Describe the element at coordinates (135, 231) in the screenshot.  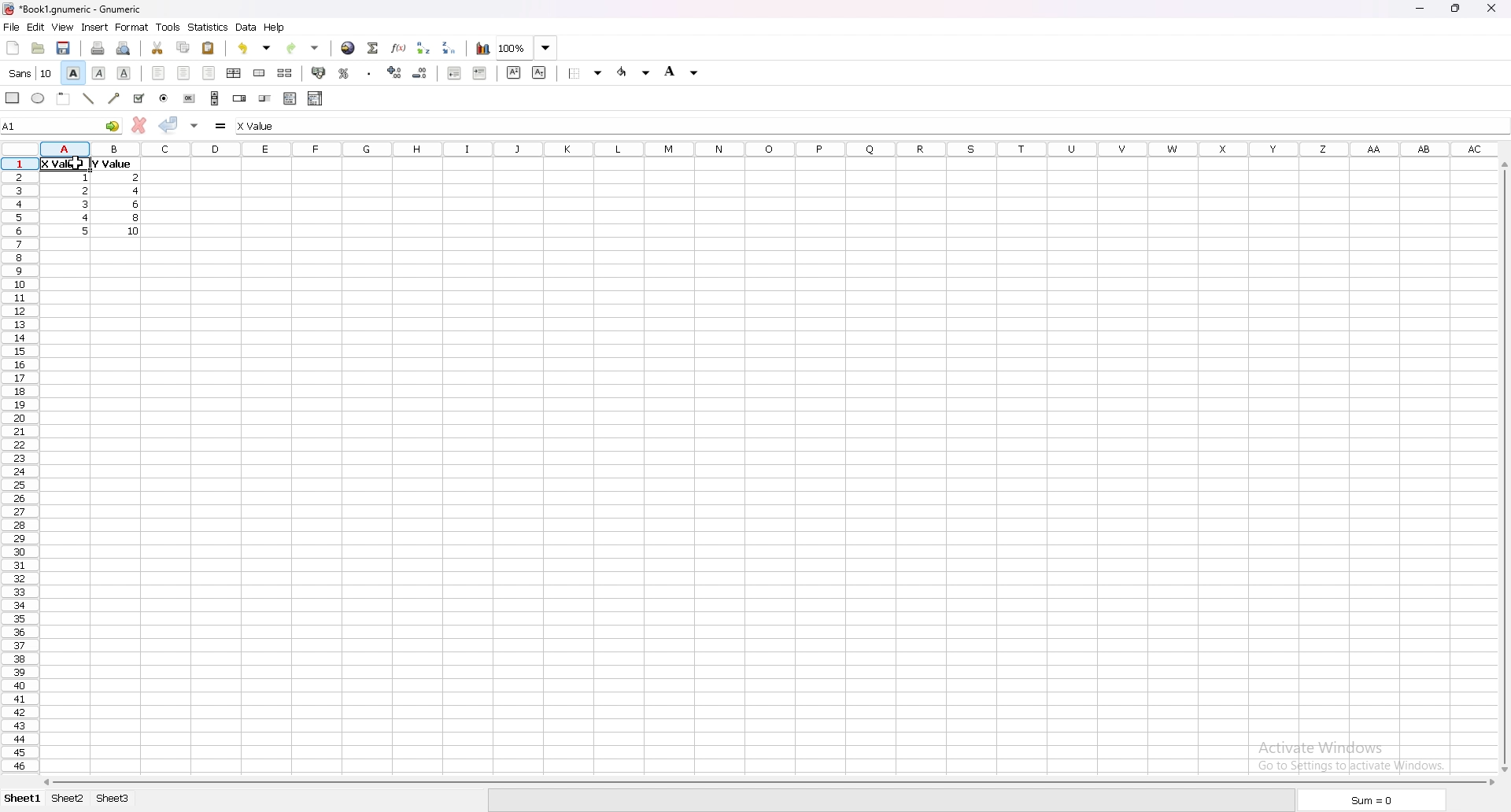
I see `value` at that location.